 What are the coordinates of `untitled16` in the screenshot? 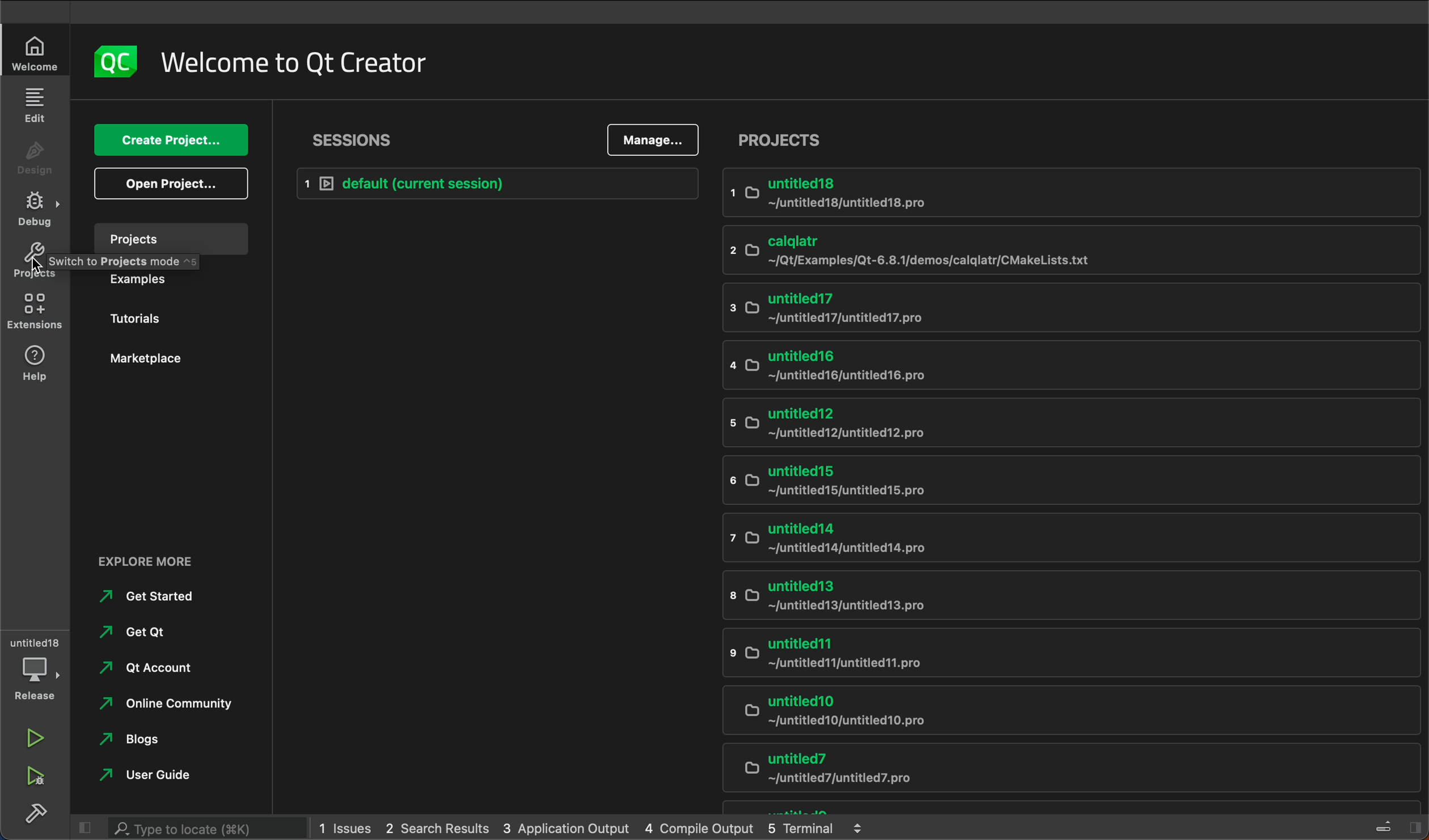 It's located at (1063, 369).